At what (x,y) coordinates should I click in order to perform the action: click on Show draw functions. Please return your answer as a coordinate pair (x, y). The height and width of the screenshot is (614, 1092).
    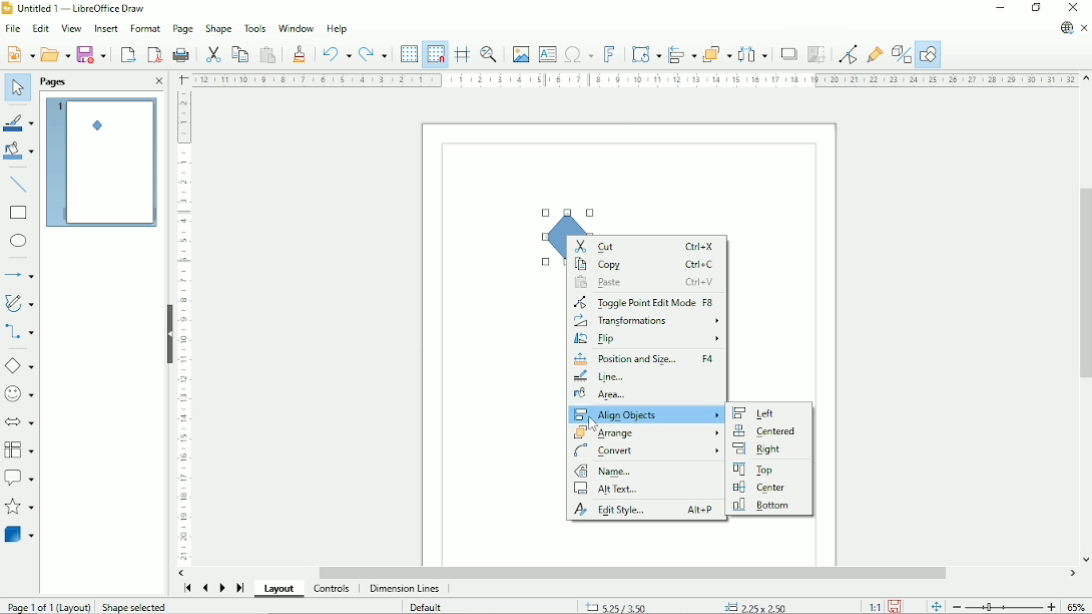
    Looking at the image, I should click on (929, 54).